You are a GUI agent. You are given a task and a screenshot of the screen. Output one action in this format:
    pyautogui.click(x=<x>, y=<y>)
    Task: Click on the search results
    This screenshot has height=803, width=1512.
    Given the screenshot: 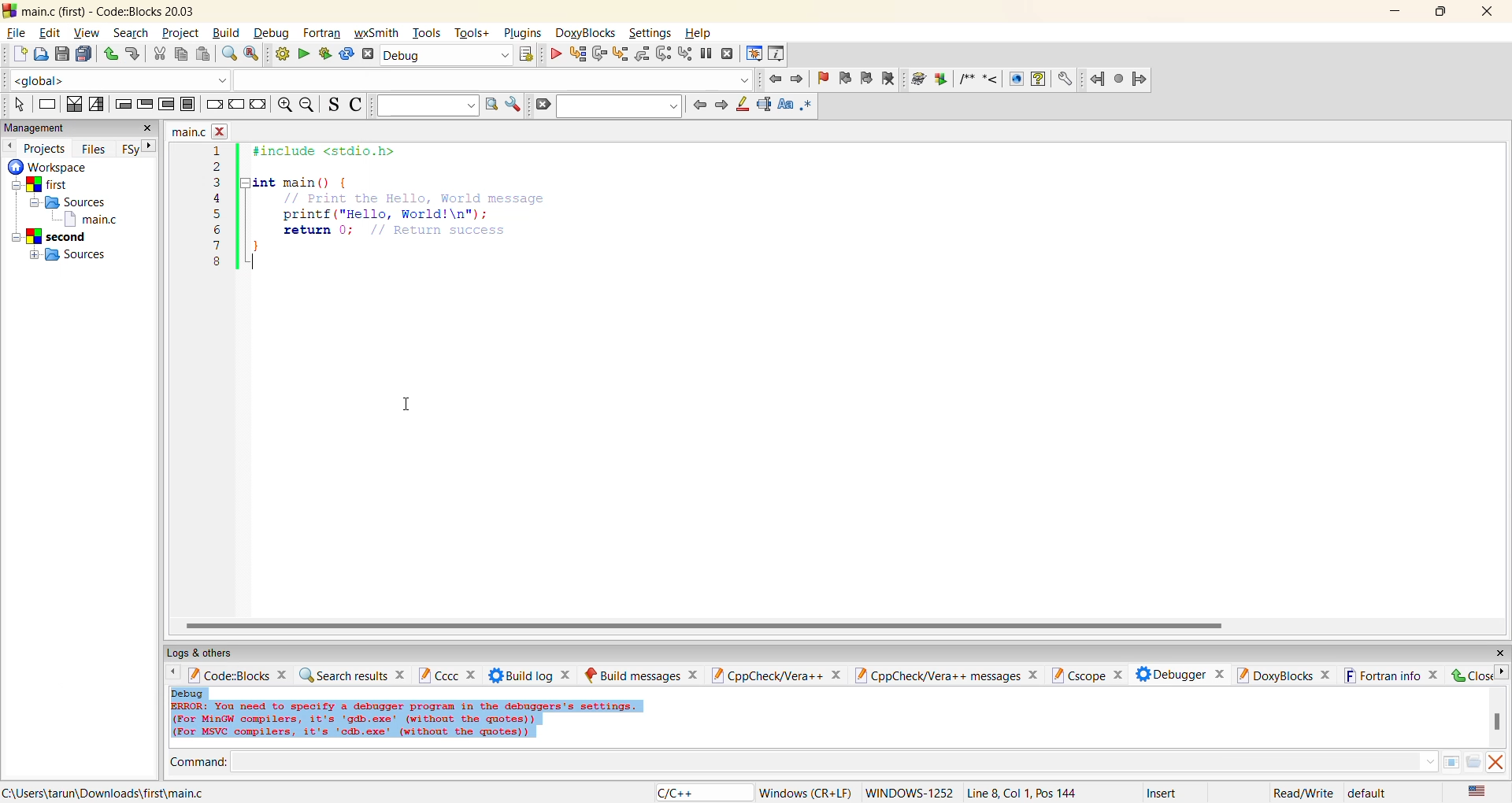 What is the action you would take?
    pyautogui.click(x=353, y=674)
    